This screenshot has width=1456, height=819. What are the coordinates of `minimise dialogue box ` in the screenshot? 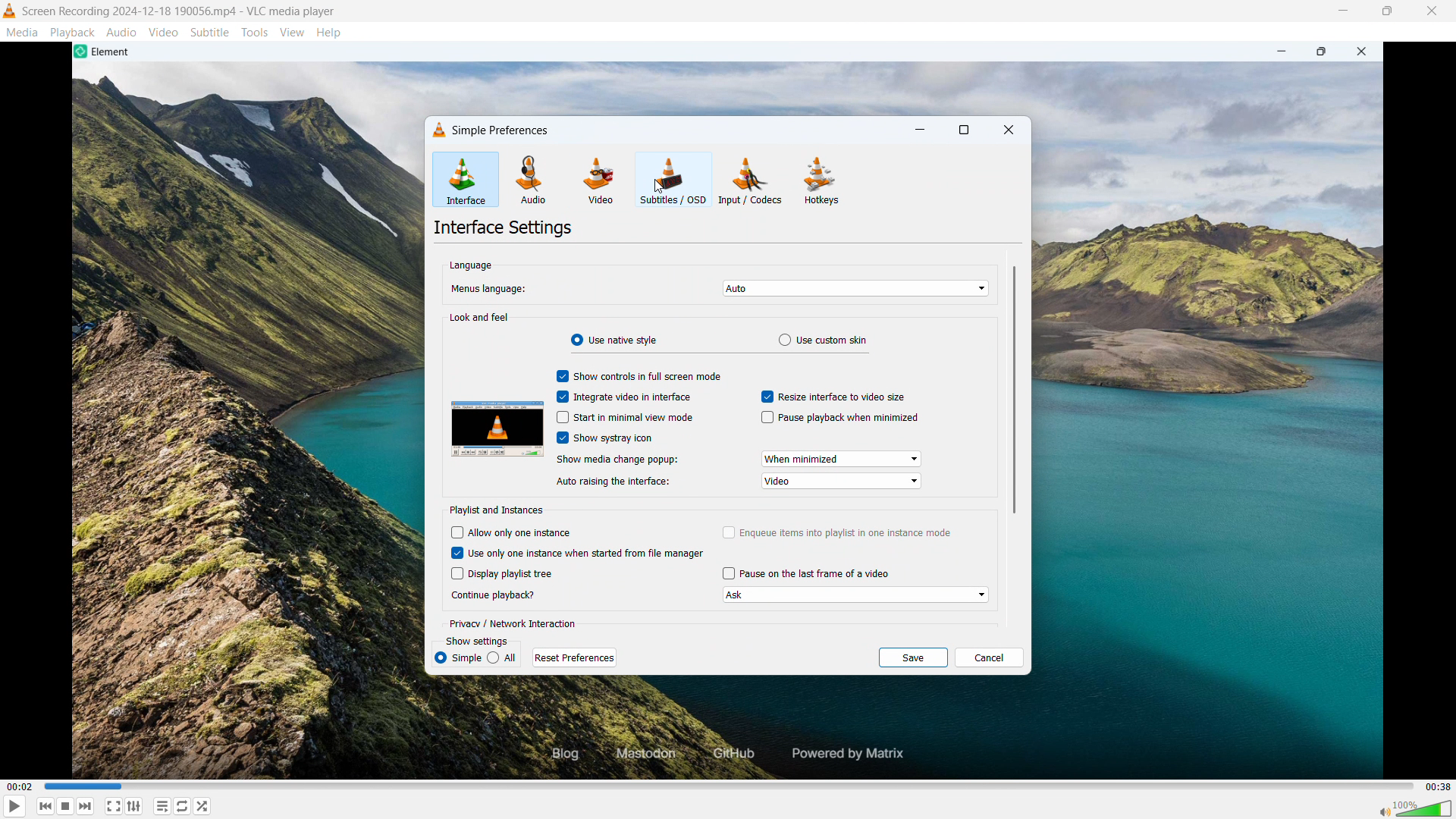 It's located at (921, 130).